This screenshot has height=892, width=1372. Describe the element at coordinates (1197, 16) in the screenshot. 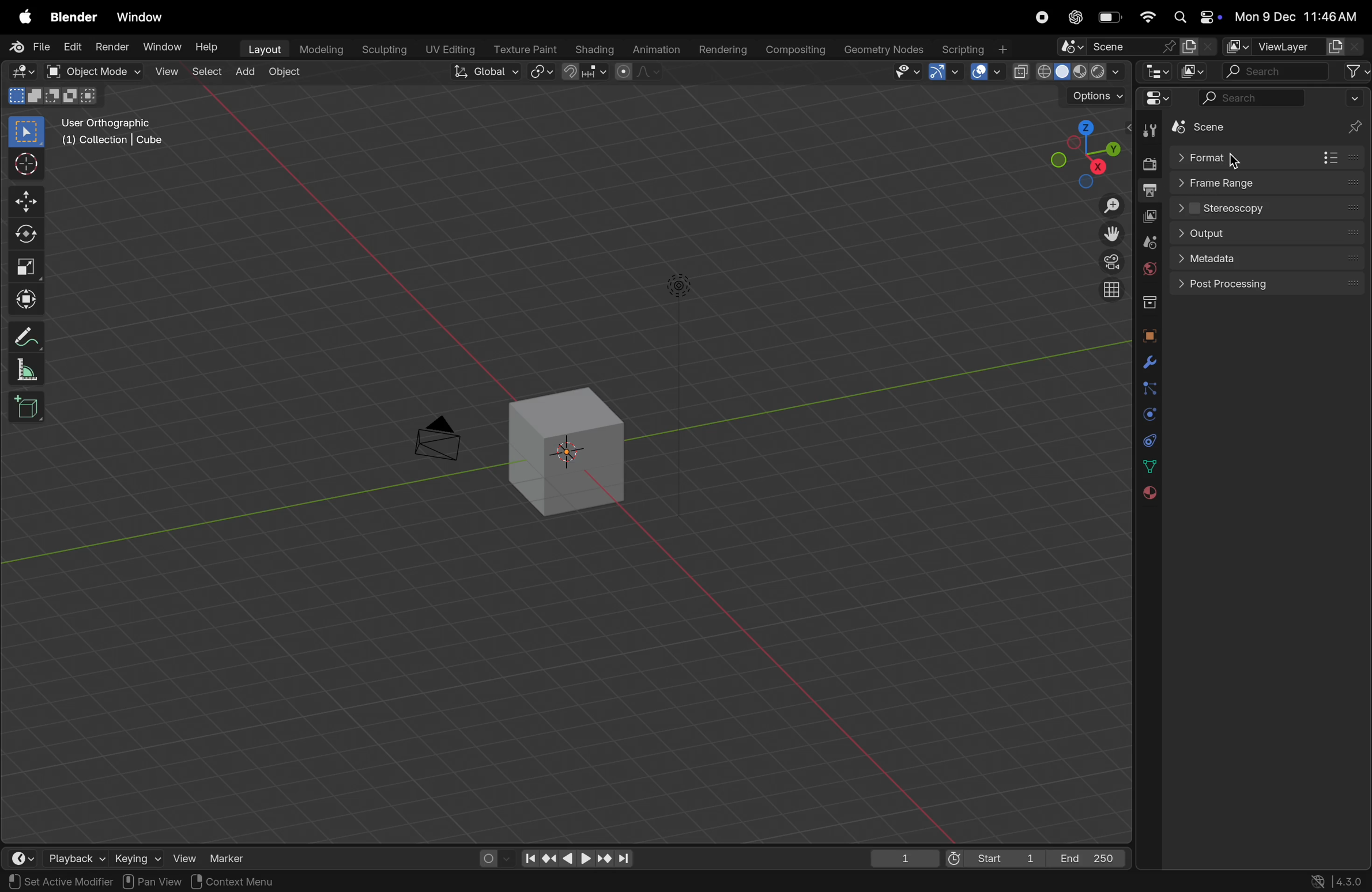

I see `apple widgets` at that location.